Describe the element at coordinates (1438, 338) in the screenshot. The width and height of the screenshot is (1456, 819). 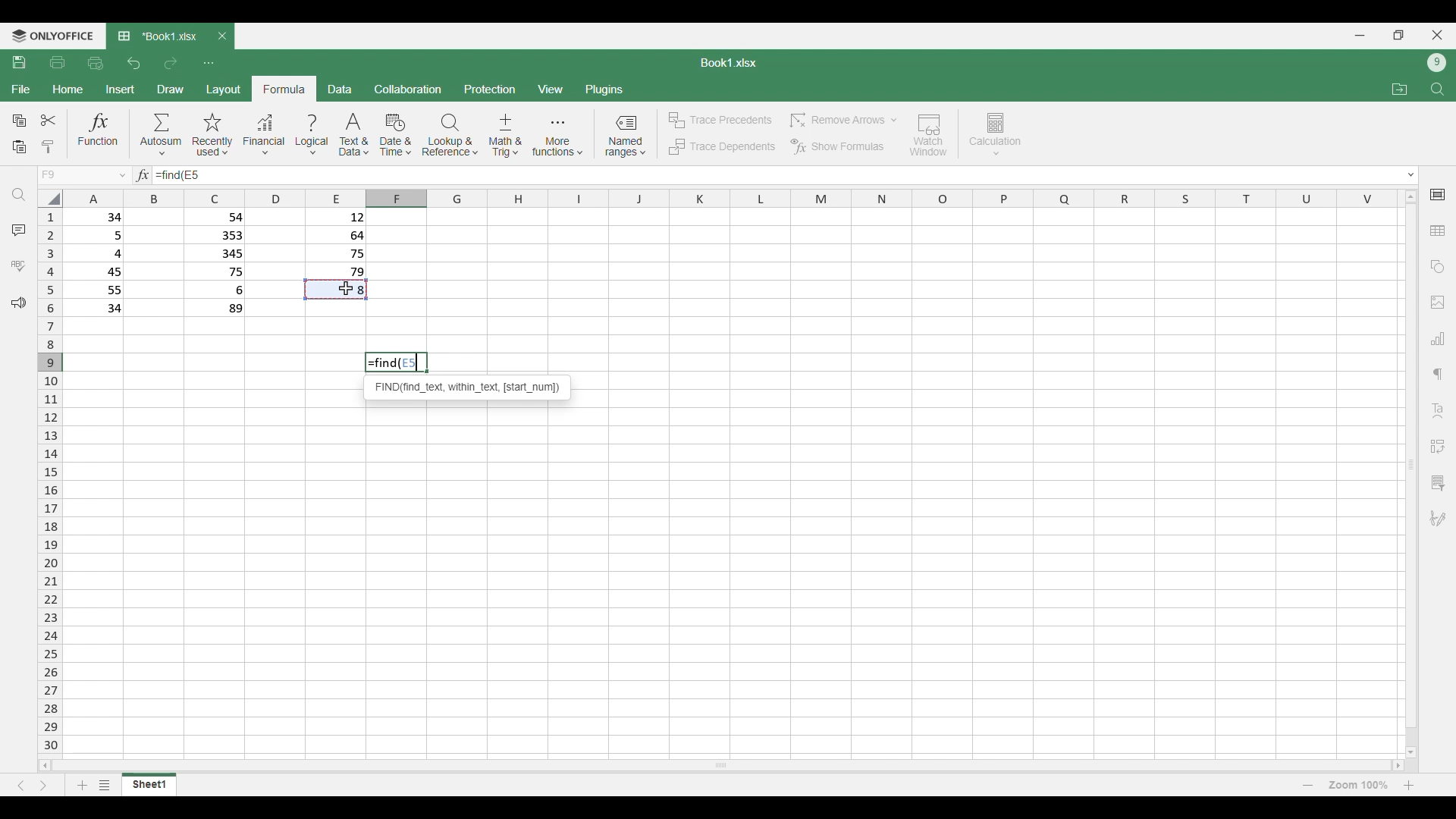
I see `Insert chart` at that location.